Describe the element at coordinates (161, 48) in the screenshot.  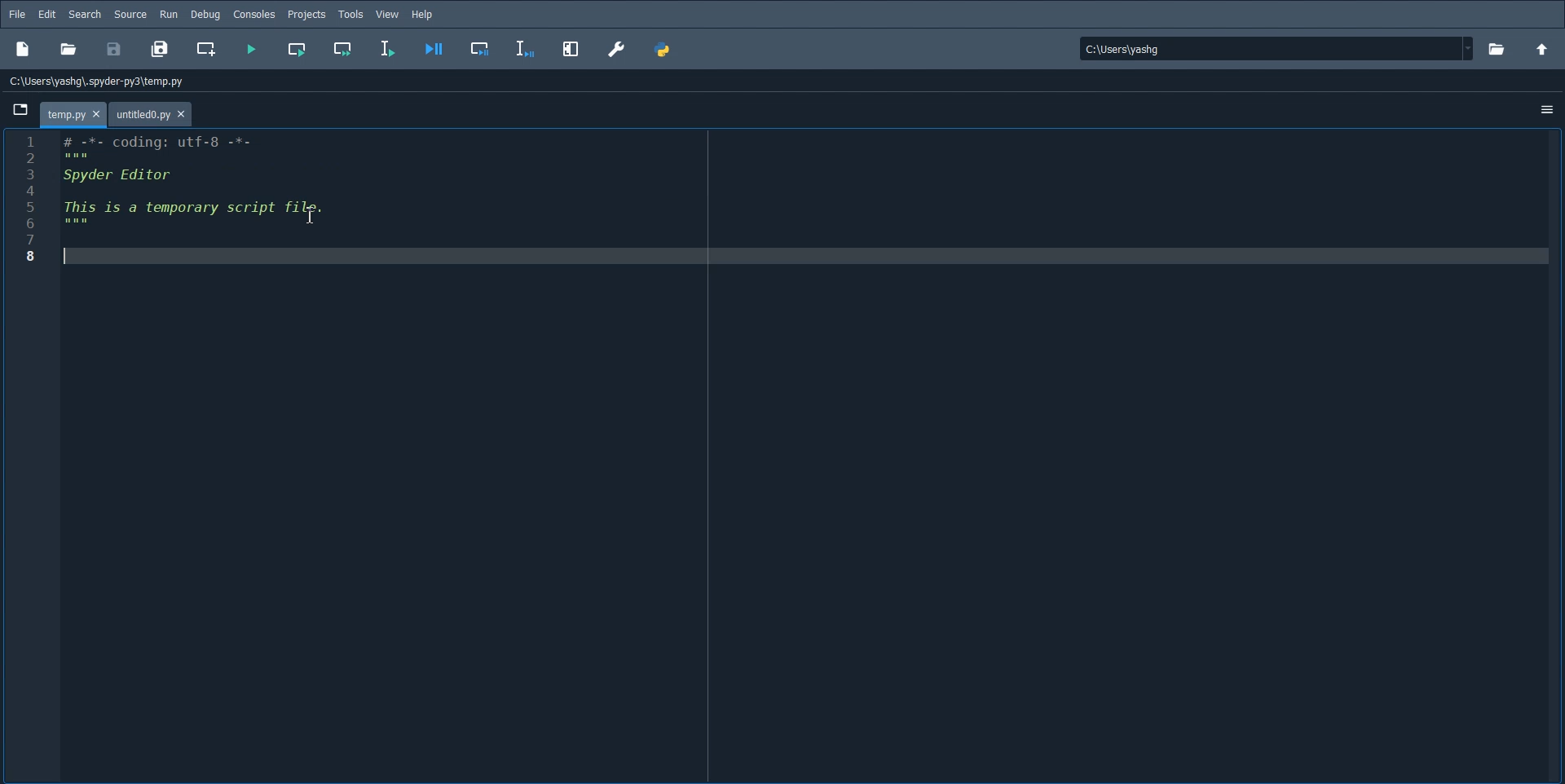
I see `Save all File` at that location.